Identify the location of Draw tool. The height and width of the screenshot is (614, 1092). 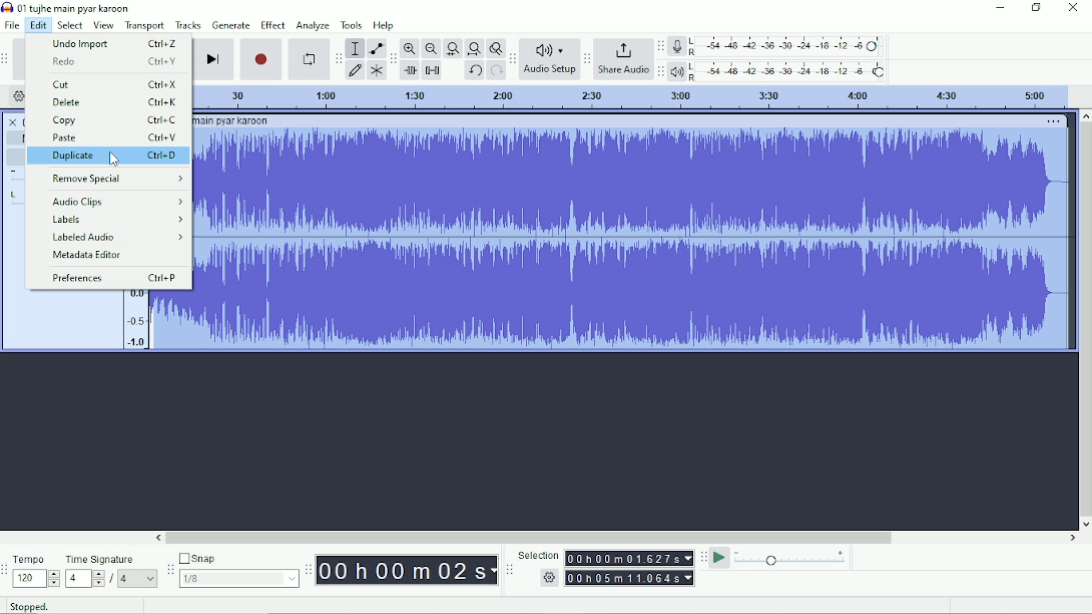
(355, 72).